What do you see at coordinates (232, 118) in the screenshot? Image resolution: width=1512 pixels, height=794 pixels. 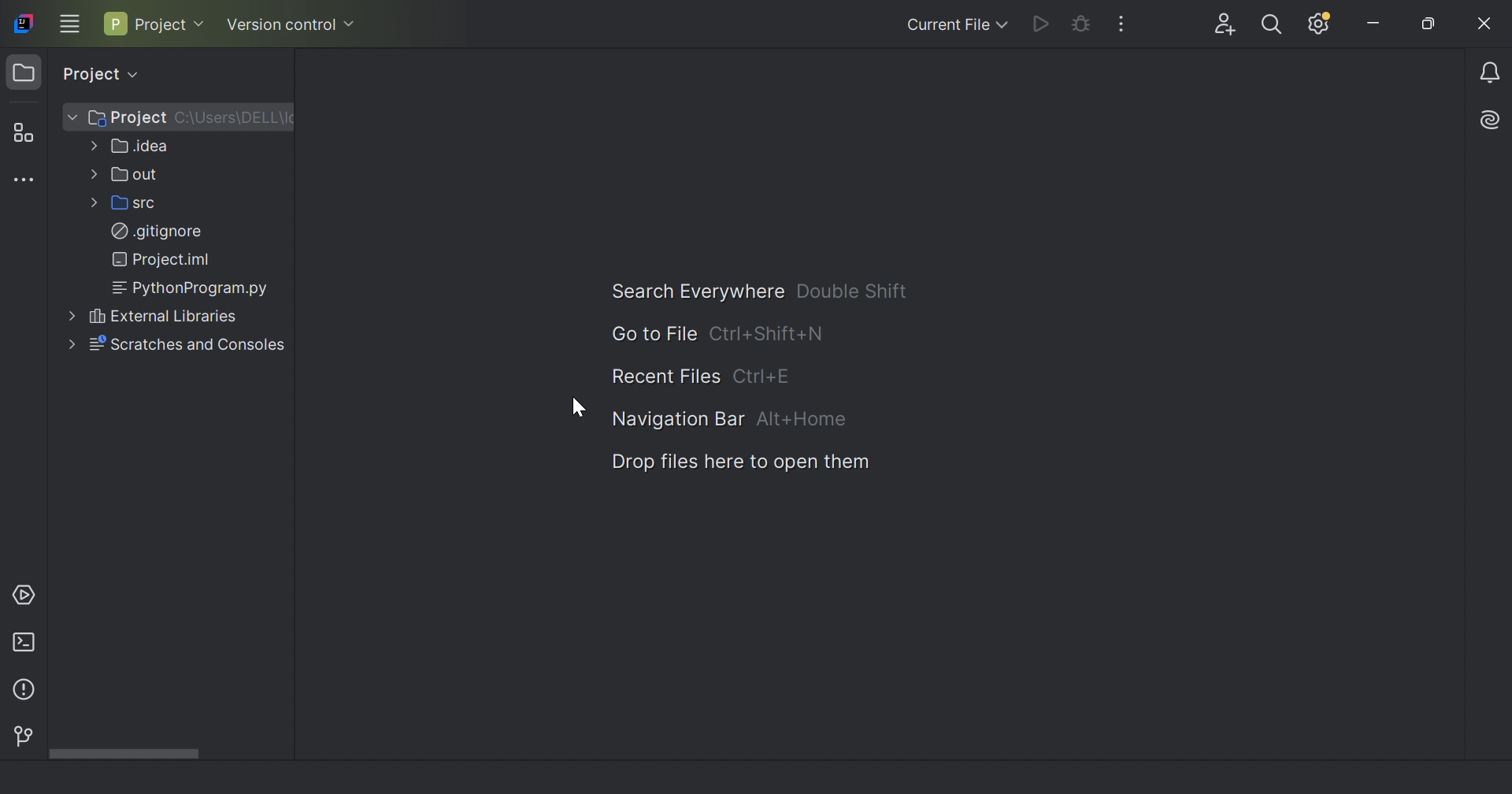 I see `C:\Users\DELL\I` at bounding box center [232, 118].